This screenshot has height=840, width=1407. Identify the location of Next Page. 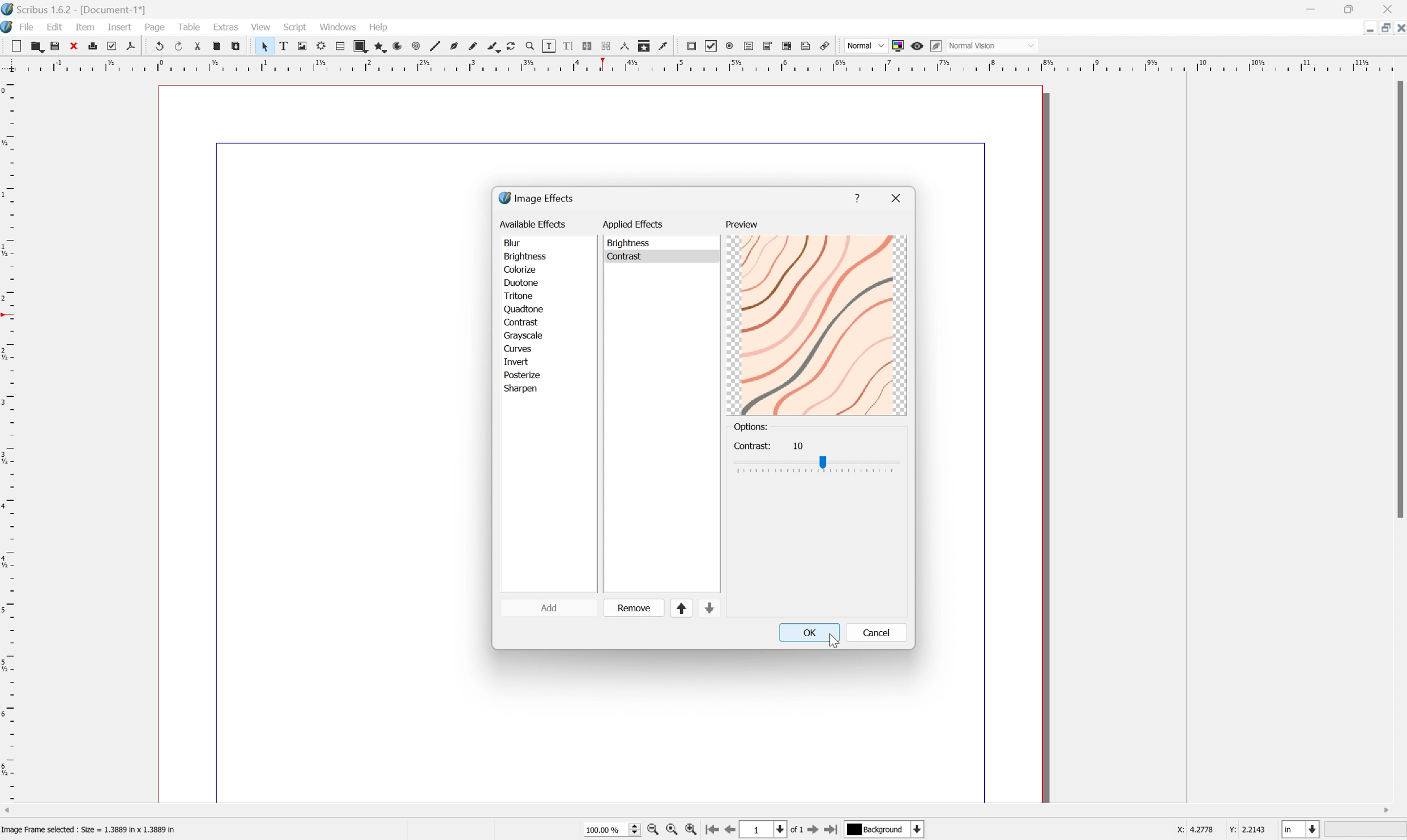
(816, 830).